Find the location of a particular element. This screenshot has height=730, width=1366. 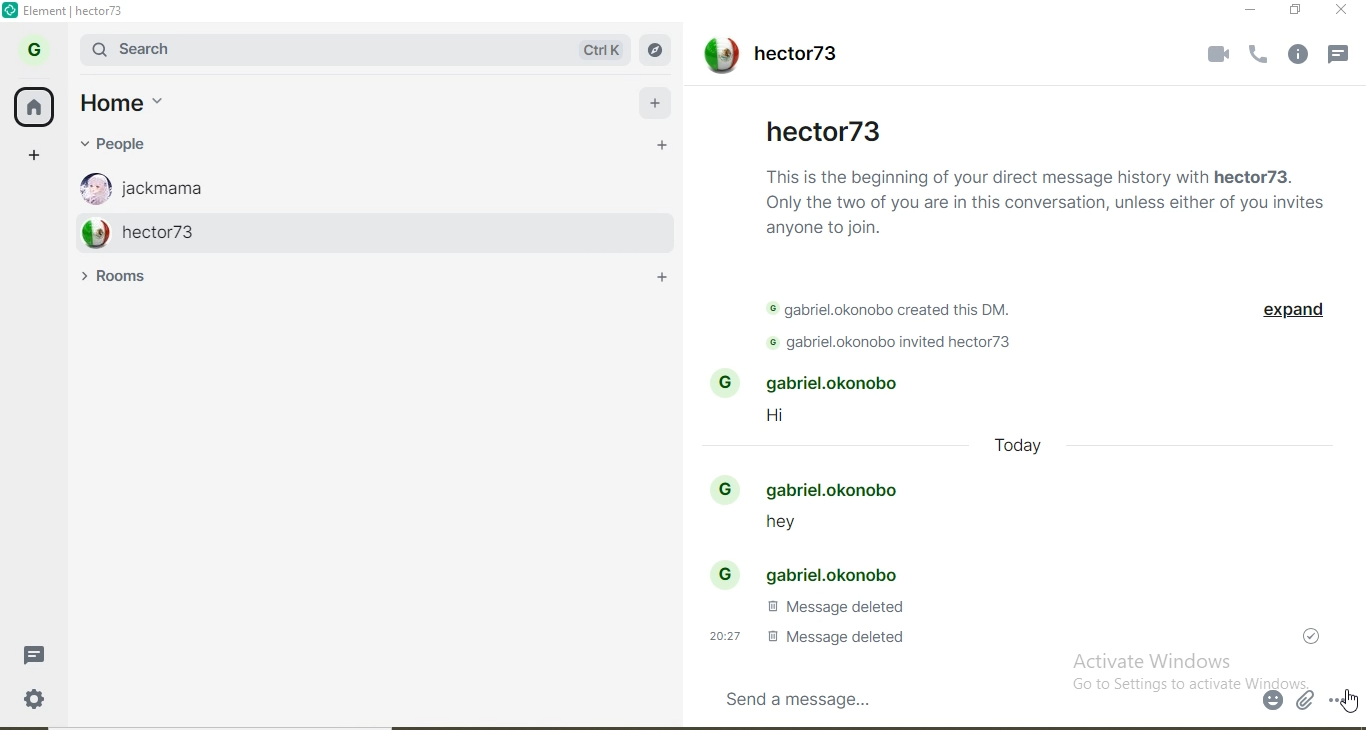

text 2 is located at coordinates (899, 311).